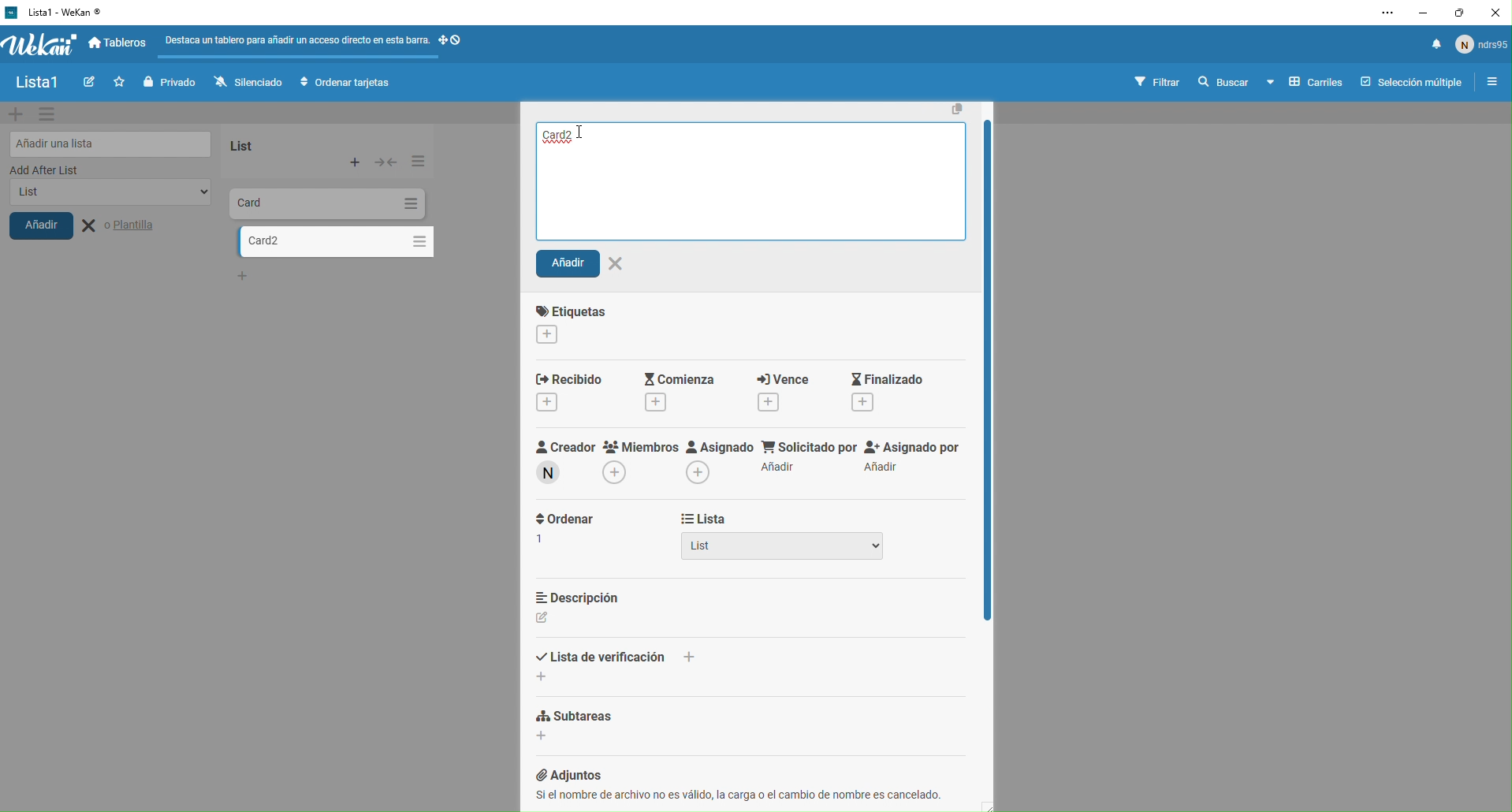  Describe the element at coordinates (51, 115) in the screenshot. I see `settings` at that location.